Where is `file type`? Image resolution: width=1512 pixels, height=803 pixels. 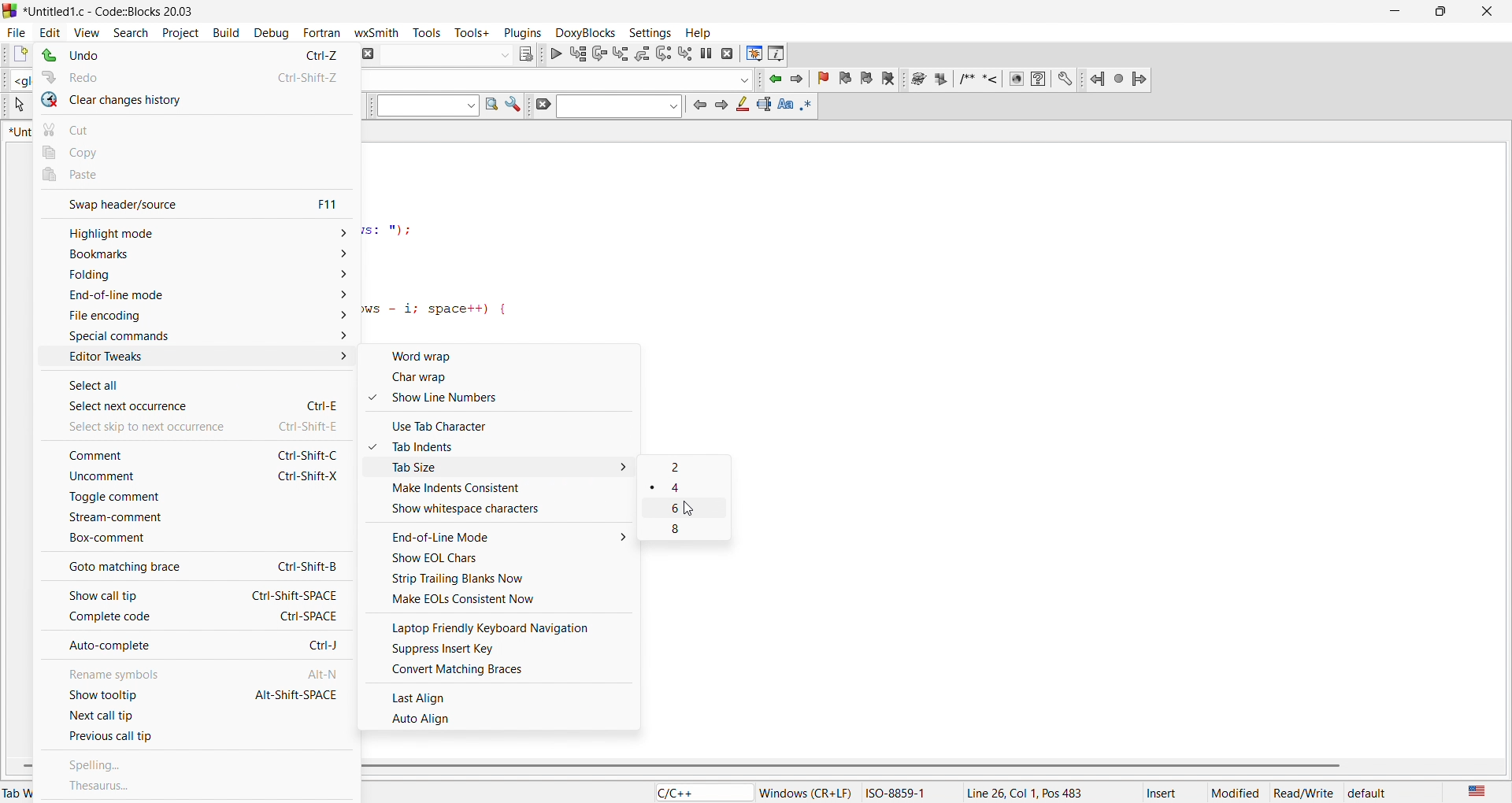 file type is located at coordinates (688, 792).